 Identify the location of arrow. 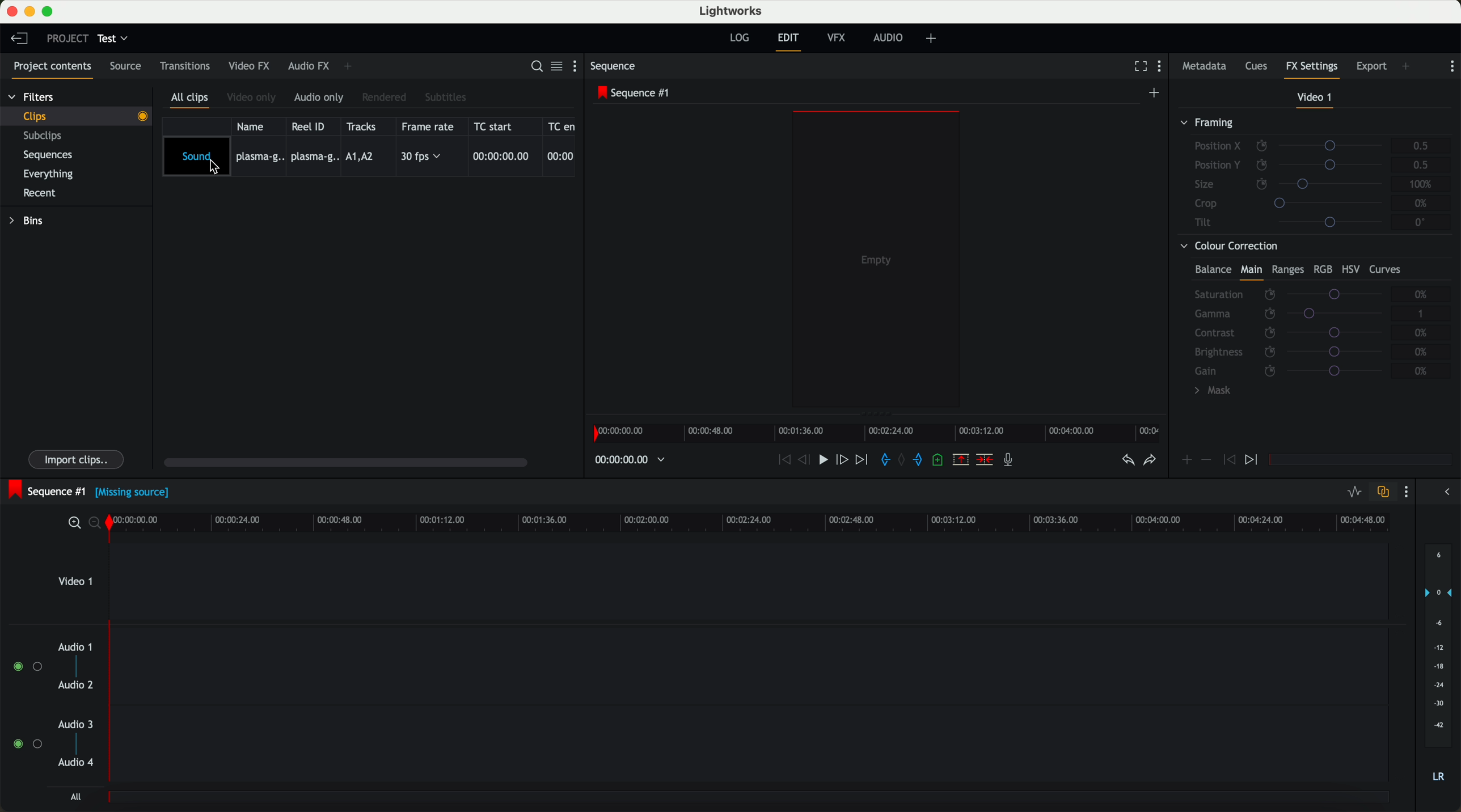
(1443, 493).